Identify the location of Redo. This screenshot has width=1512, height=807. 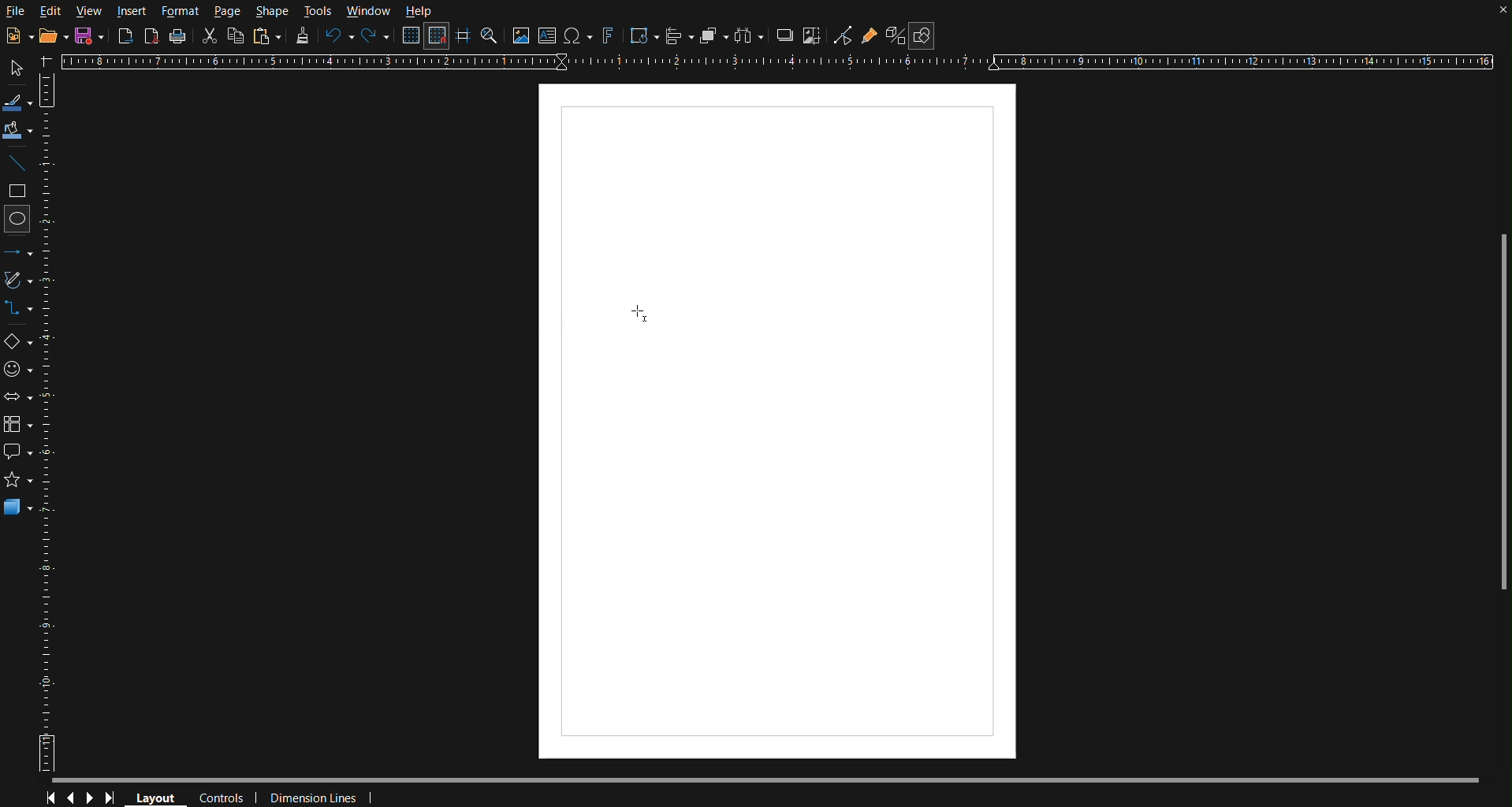
(372, 36).